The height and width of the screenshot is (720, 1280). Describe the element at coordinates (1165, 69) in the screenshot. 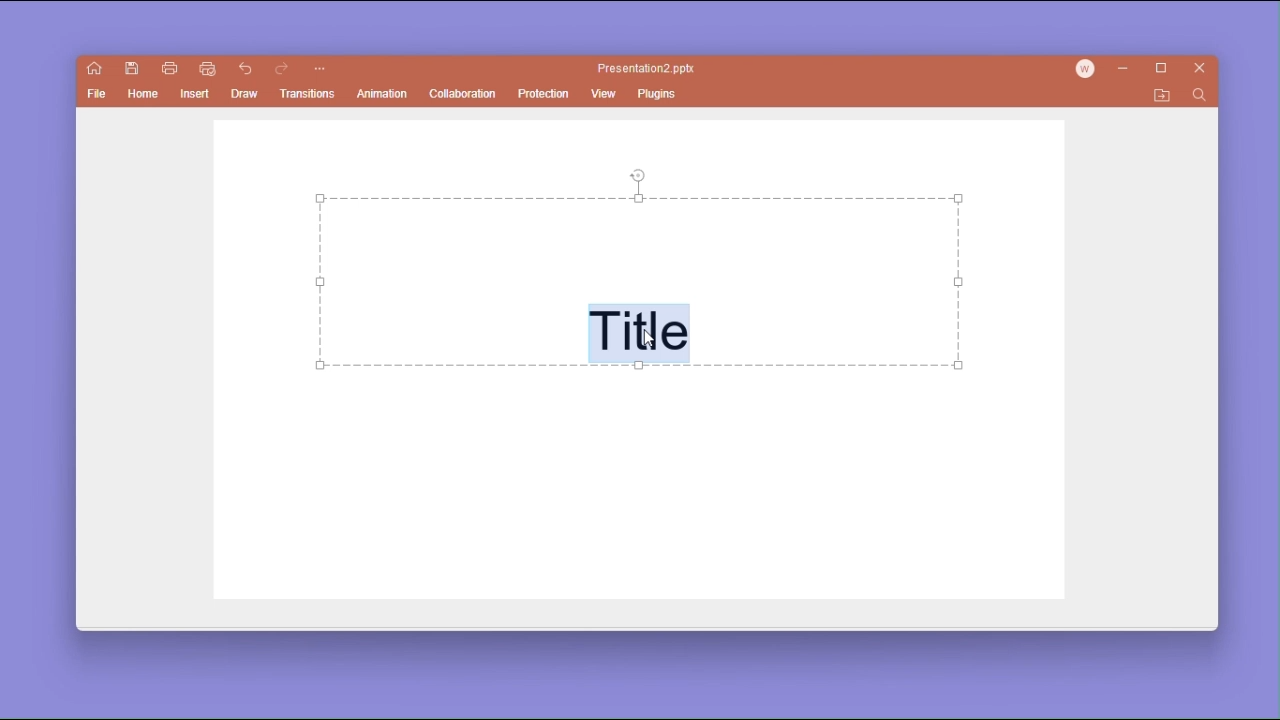

I see `maximize` at that location.